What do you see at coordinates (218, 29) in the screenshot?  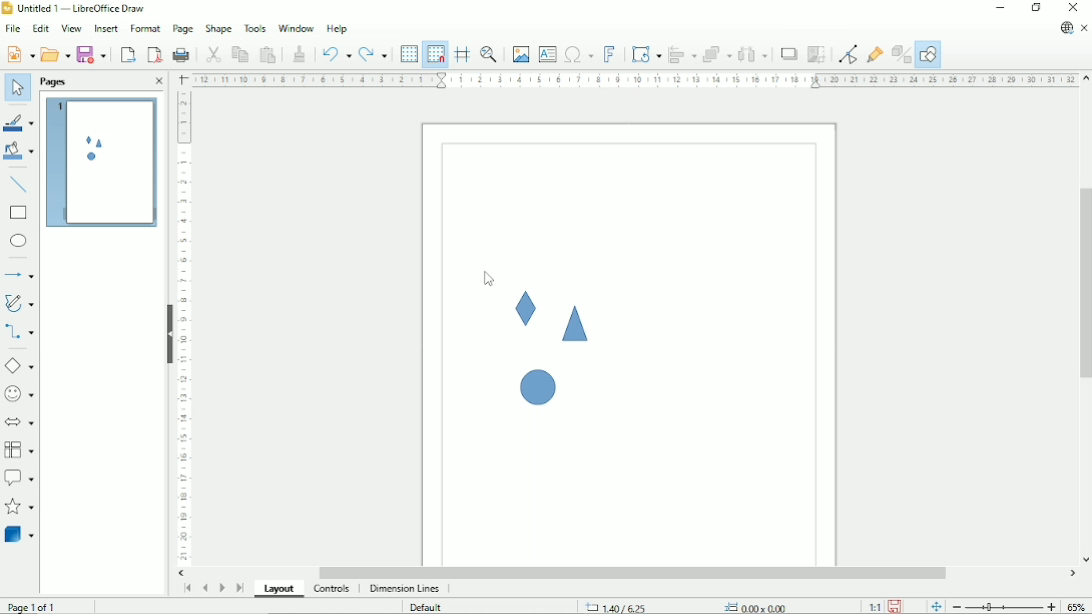 I see `Shape` at bounding box center [218, 29].